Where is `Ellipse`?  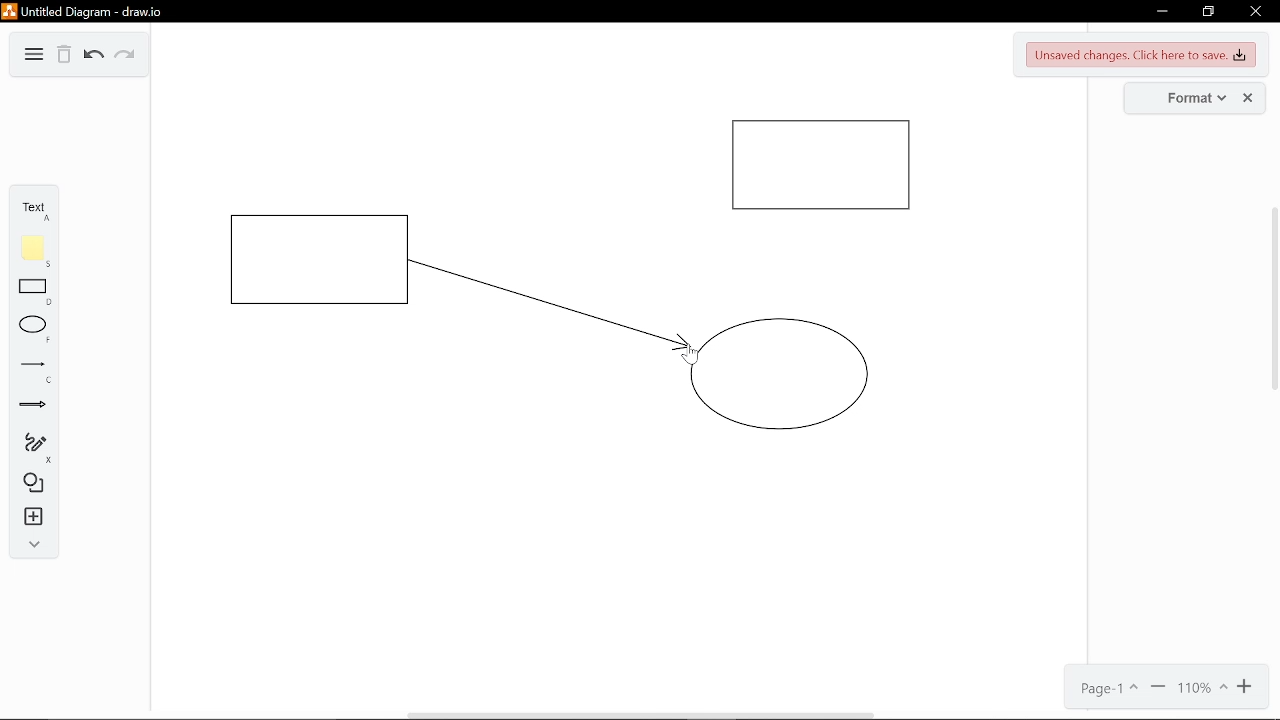 Ellipse is located at coordinates (34, 330).